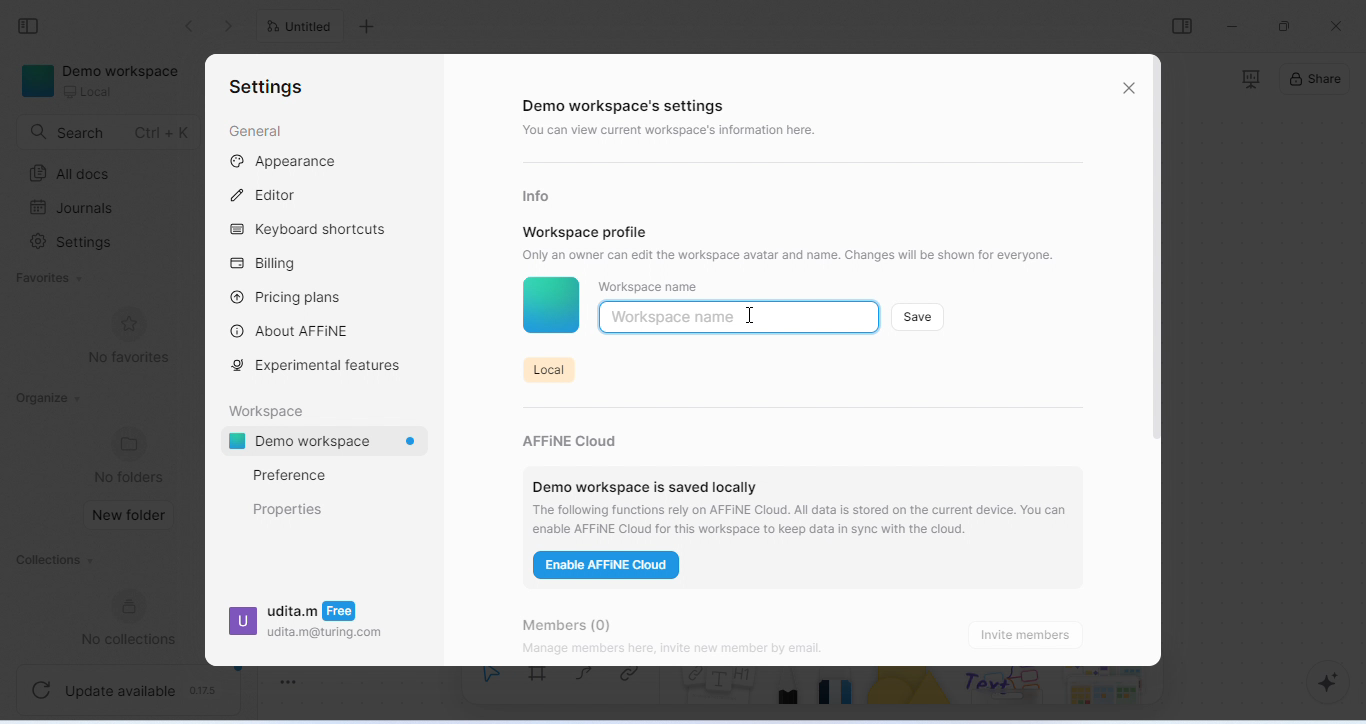  I want to click on frame, so click(542, 685).